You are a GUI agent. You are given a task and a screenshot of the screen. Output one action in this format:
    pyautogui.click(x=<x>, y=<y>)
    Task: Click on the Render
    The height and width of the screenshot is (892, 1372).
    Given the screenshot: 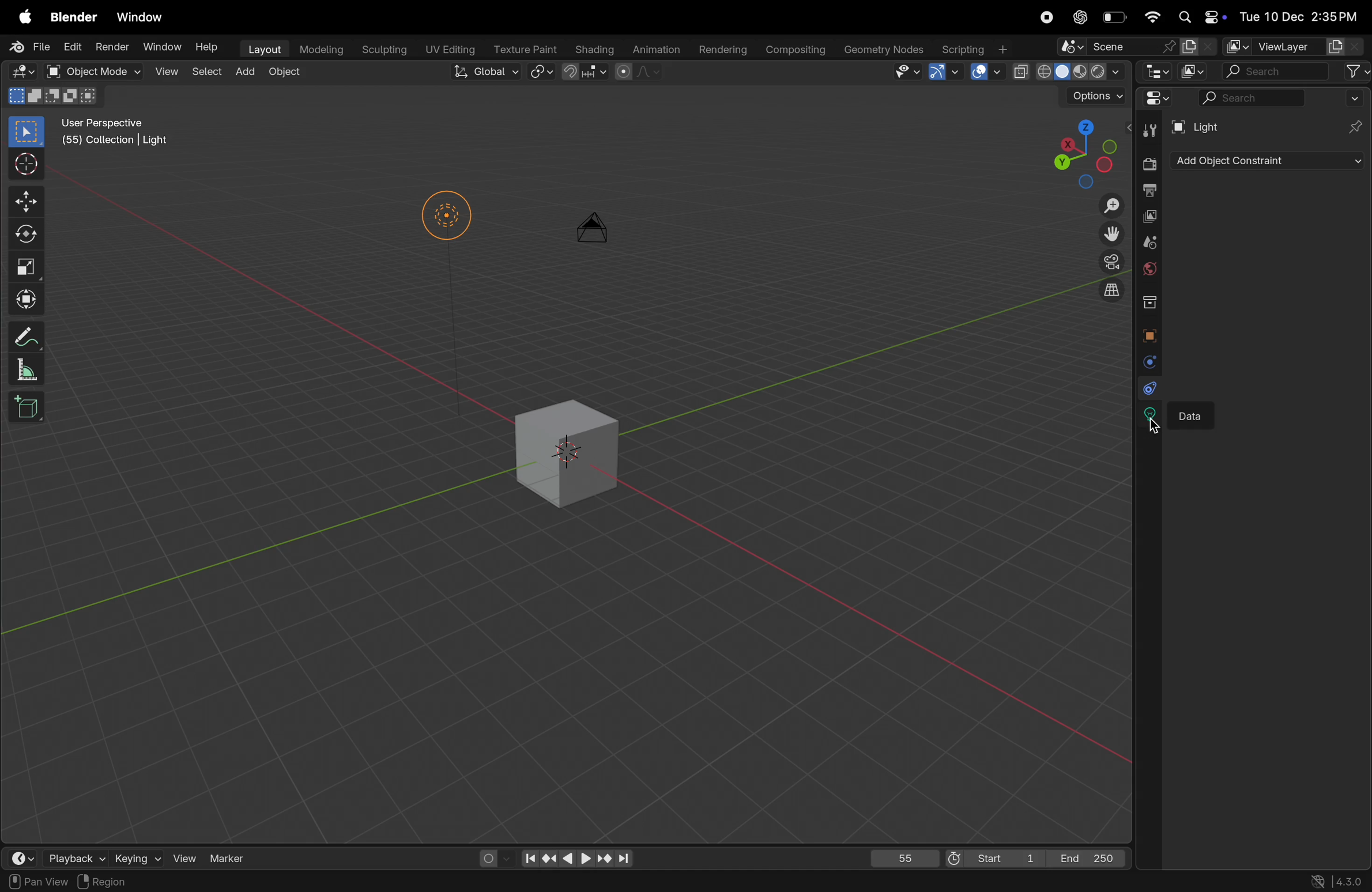 What is the action you would take?
    pyautogui.click(x=111, y=47)
    